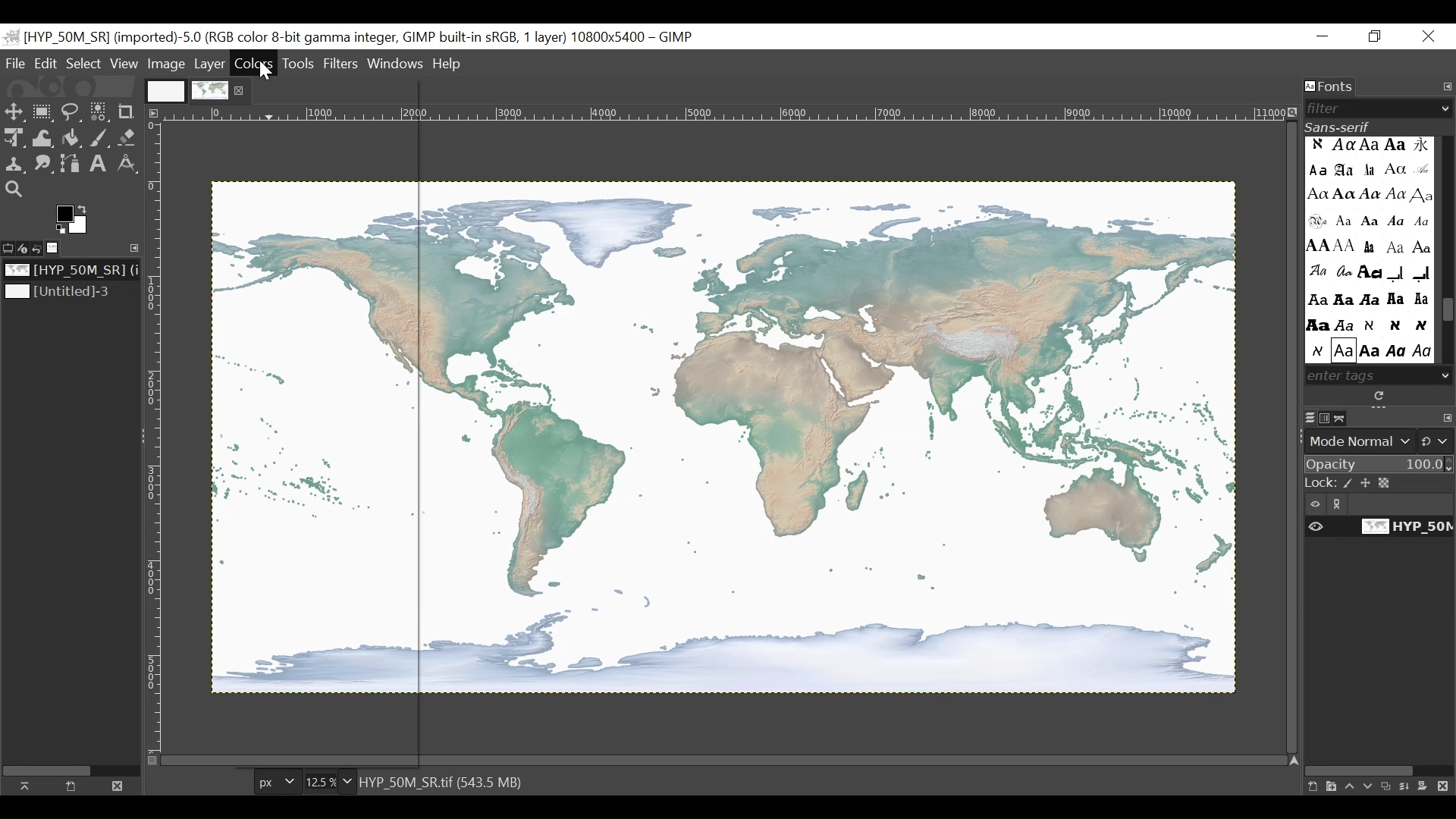 The width and height of the screenshot is (1456, 819). What do you see at coordinates (69, 271) in the screenshot?
I see `Image` at bounding box center [69, 271].